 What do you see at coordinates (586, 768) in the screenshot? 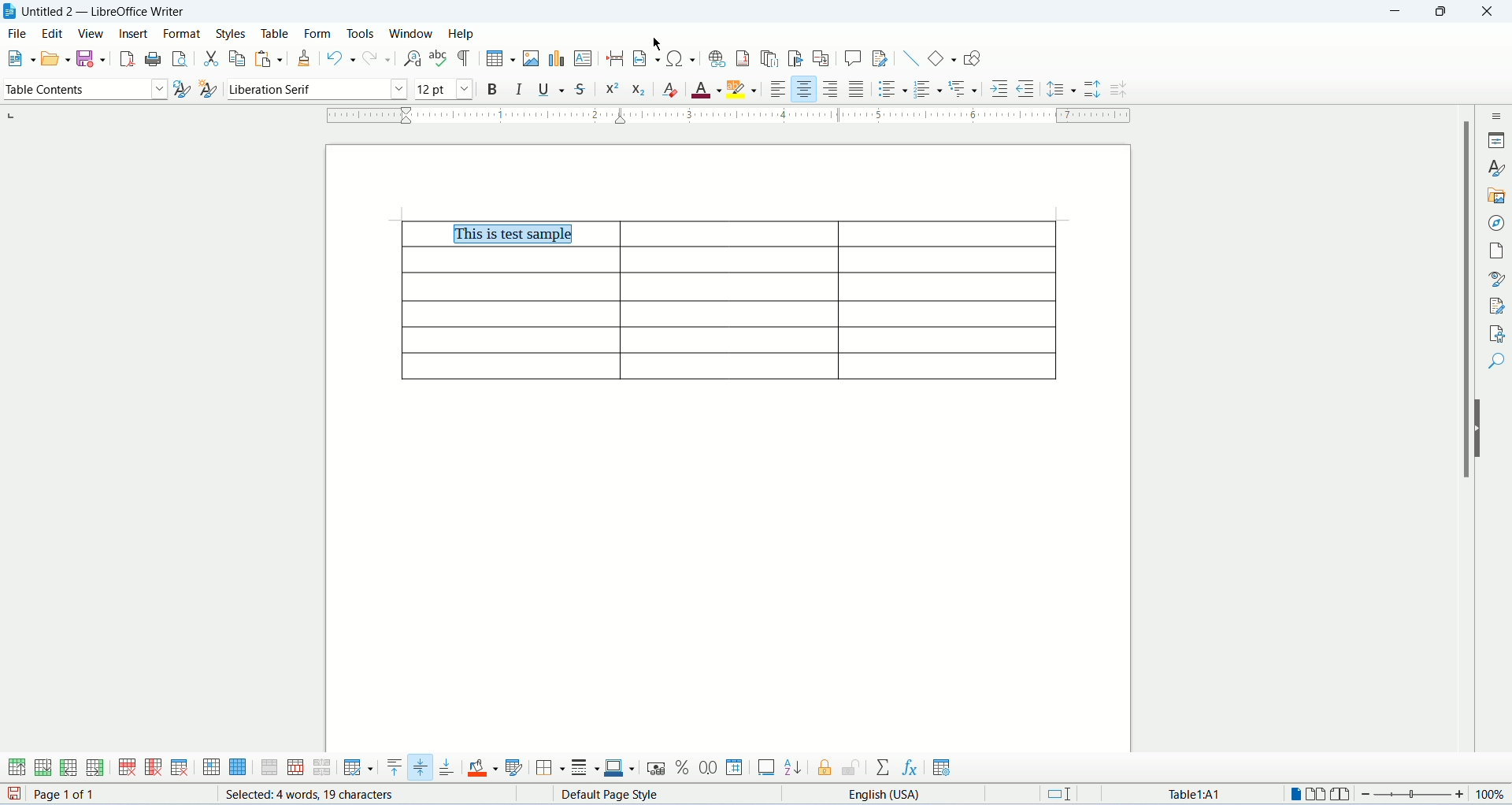
I see `border style` at bounding box center [586, 768].